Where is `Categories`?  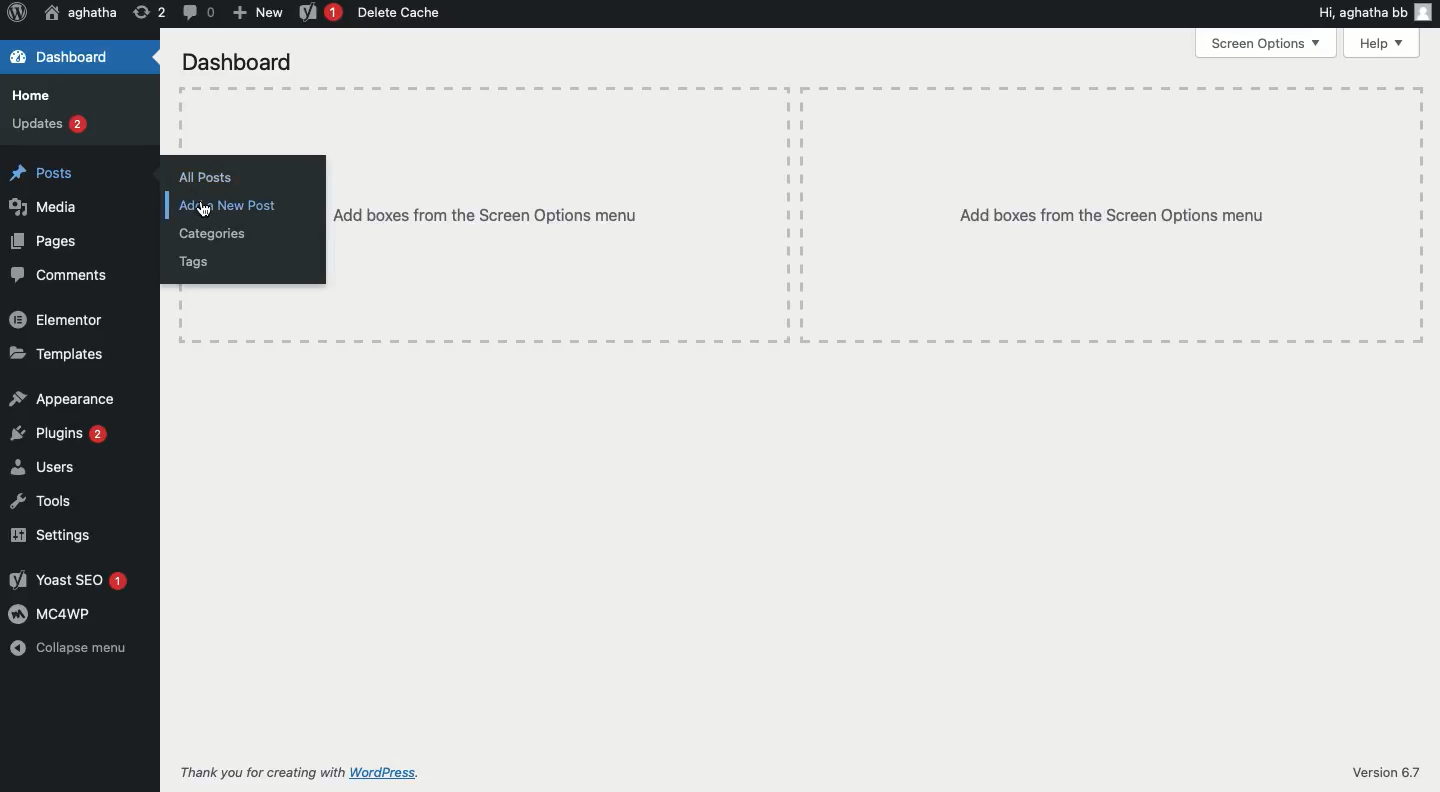 Categories is located at coordinates (212, 234).